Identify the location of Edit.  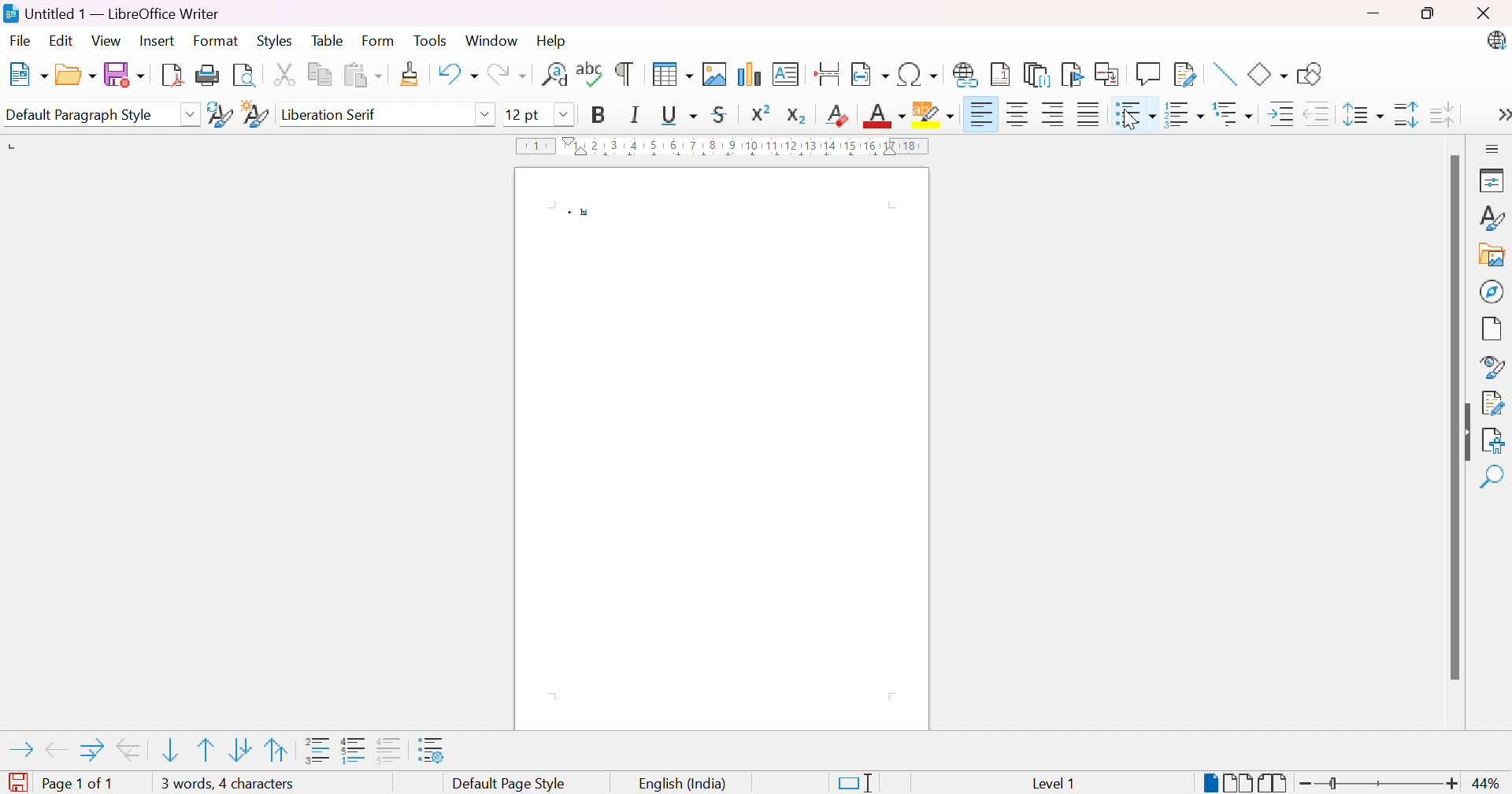
(64, 43).